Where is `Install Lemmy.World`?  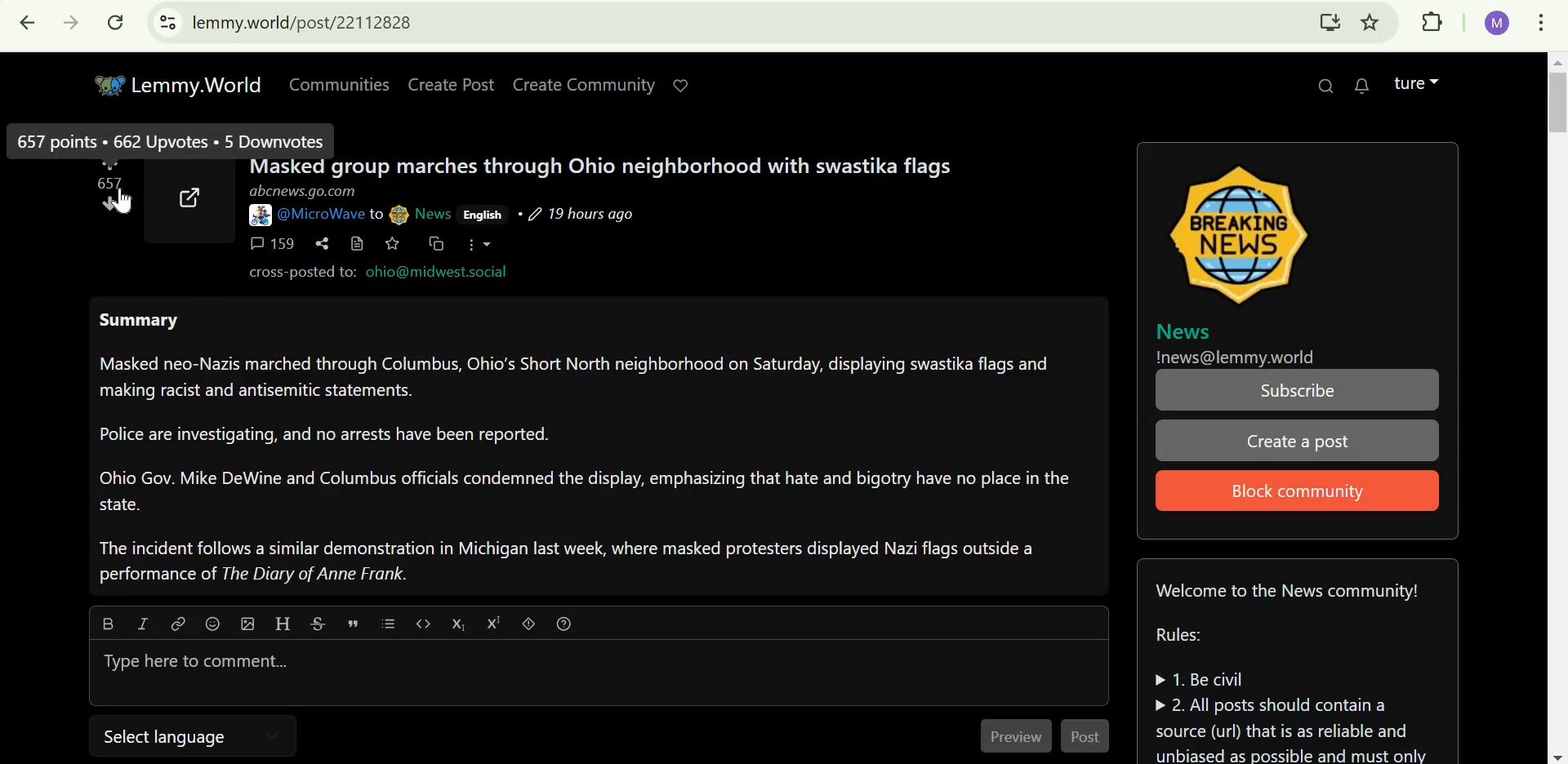 Install Lemmy.World is located at coordinates (1330, 19).